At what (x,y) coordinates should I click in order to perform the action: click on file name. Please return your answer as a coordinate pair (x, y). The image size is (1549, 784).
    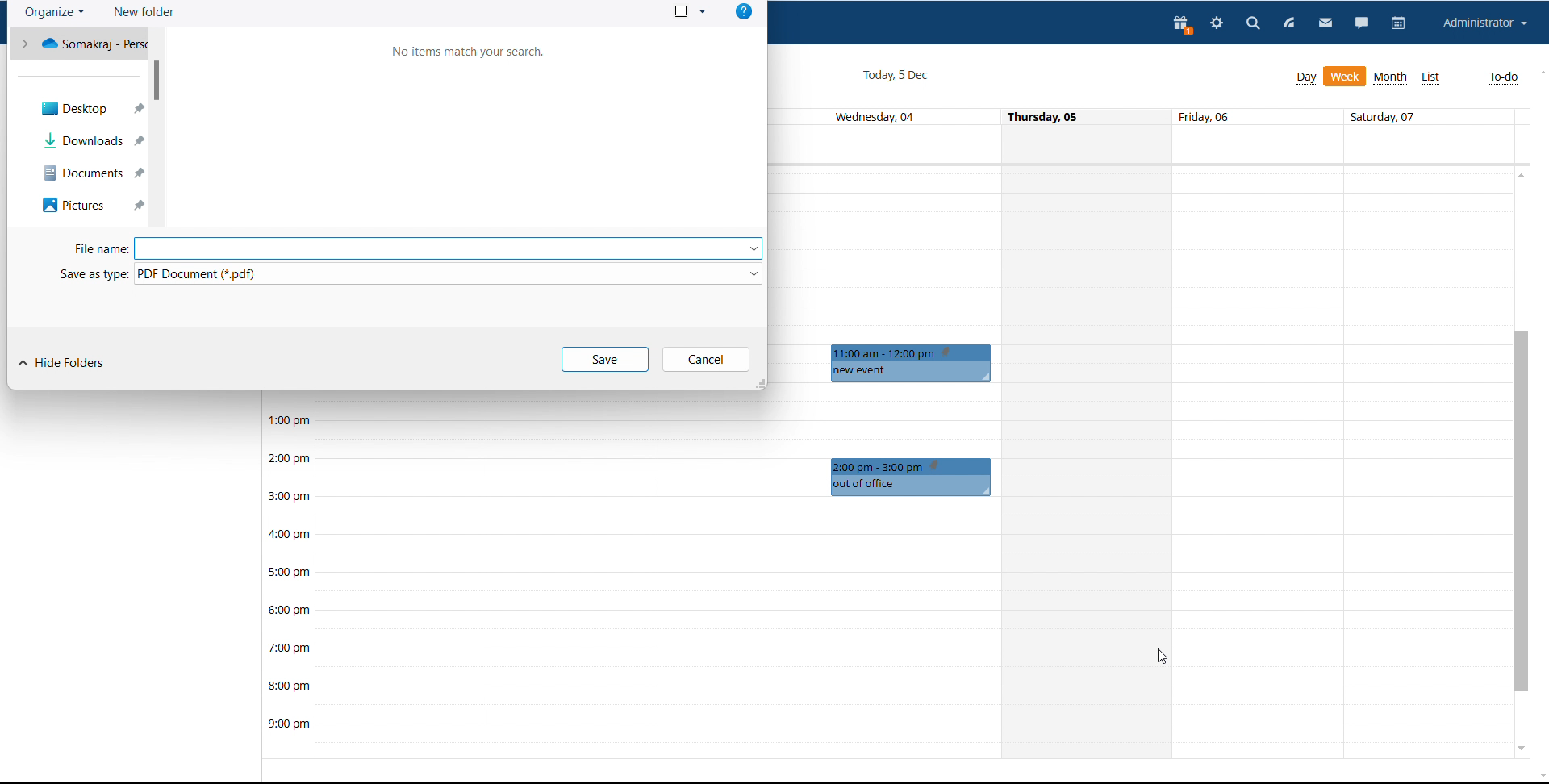
    Looking at the image, I should click on (411, 248).